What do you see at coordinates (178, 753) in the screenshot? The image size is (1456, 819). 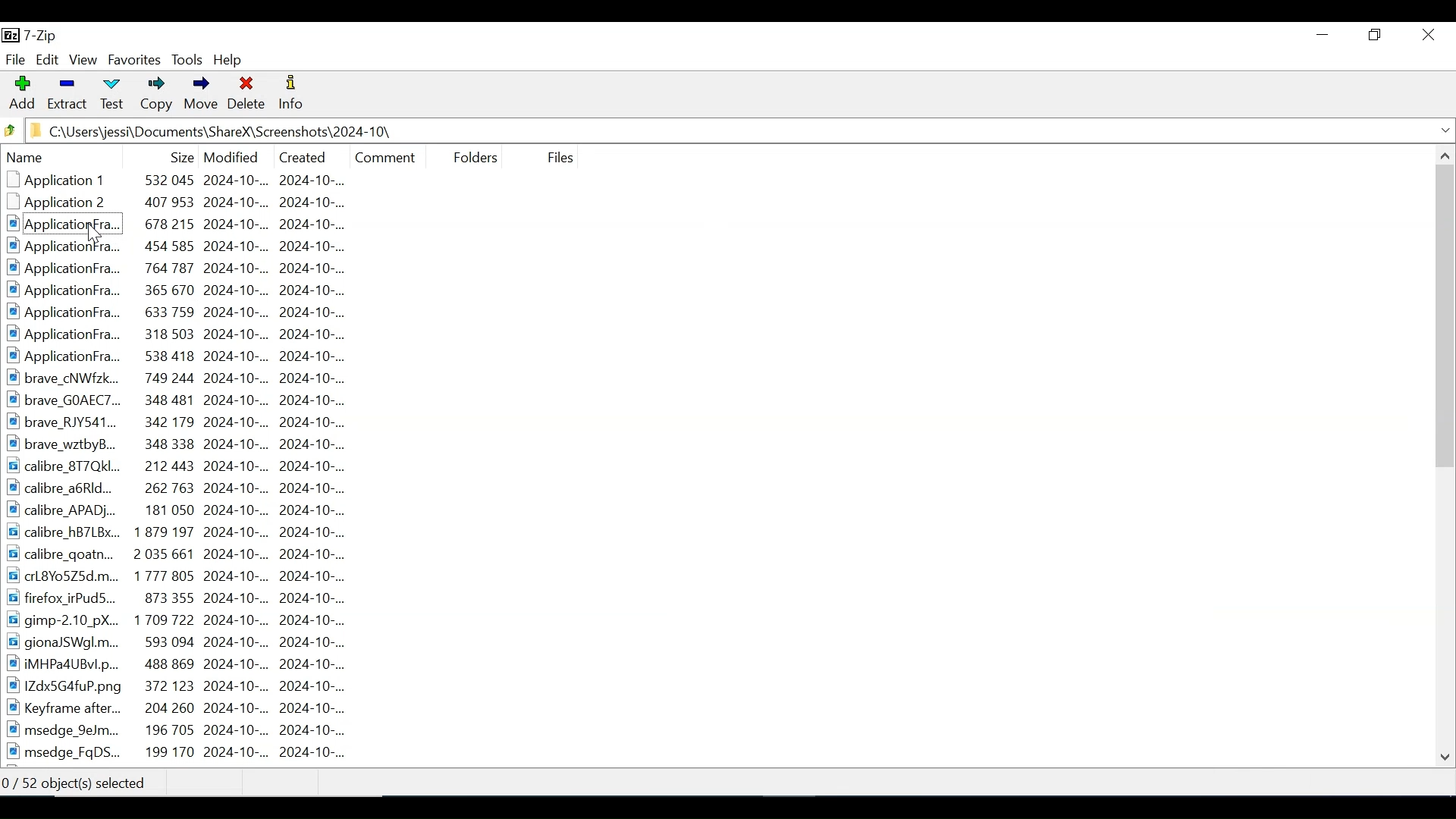 I see `msedge_FgDS... 199 170 2024-10-... 2024-10-...` at bounding box center [178, 753].